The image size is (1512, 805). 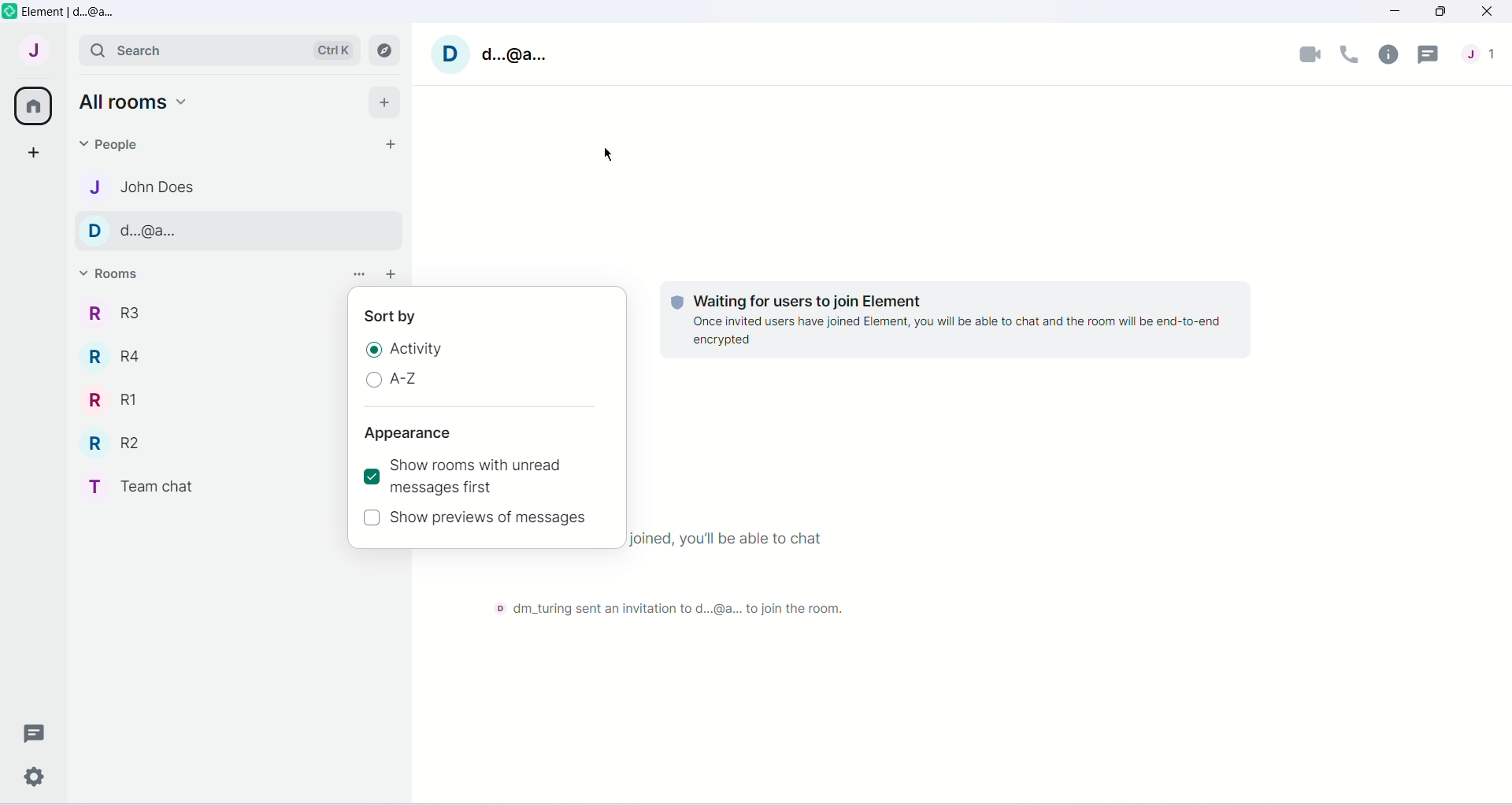 What do you see at coordinates (11, 12) in the screenshot?
I see `element logo` at bounding box center [11, 12].